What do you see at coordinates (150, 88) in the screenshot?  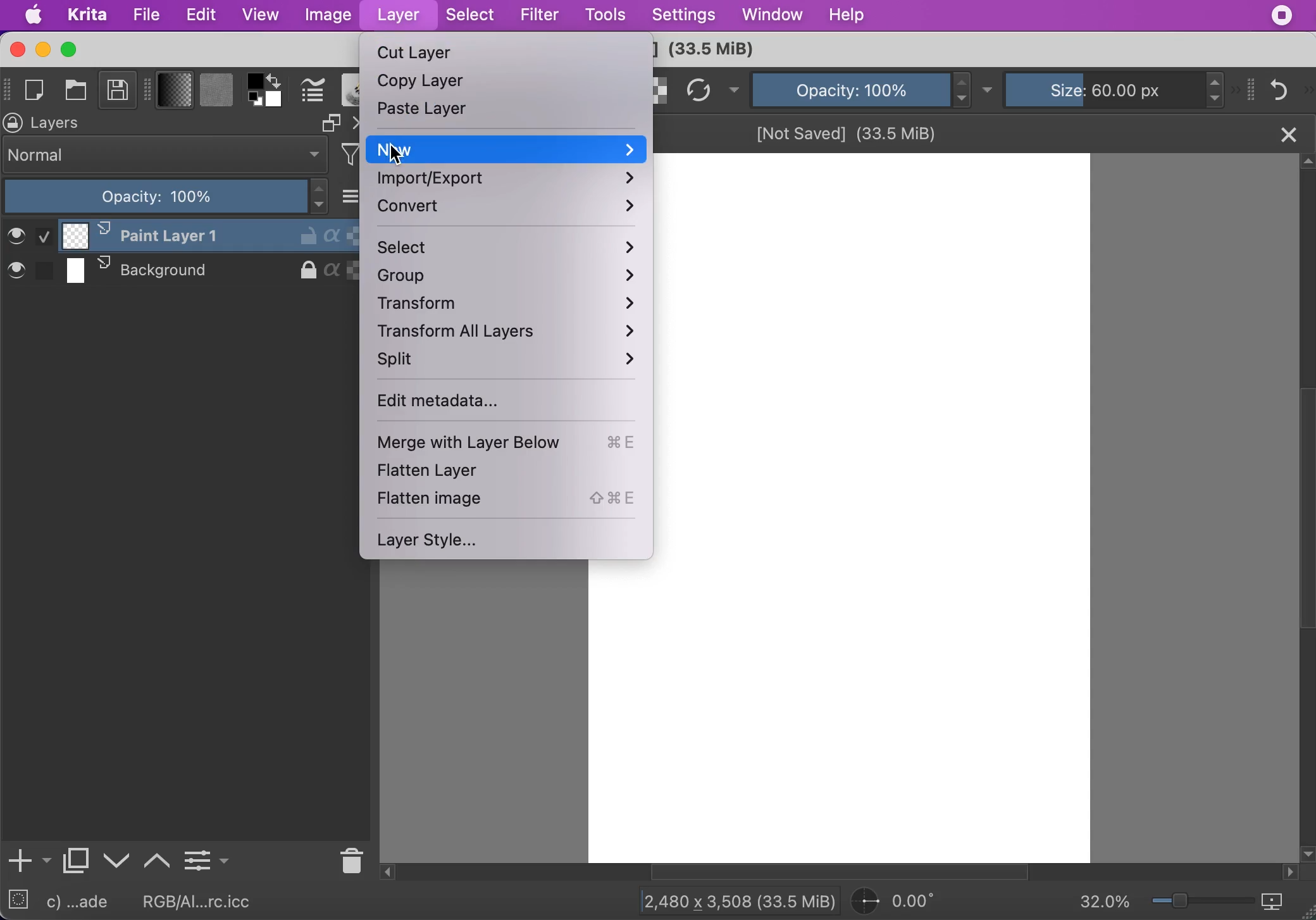 I see `show/hide tool` at bounding box center [150, 88].